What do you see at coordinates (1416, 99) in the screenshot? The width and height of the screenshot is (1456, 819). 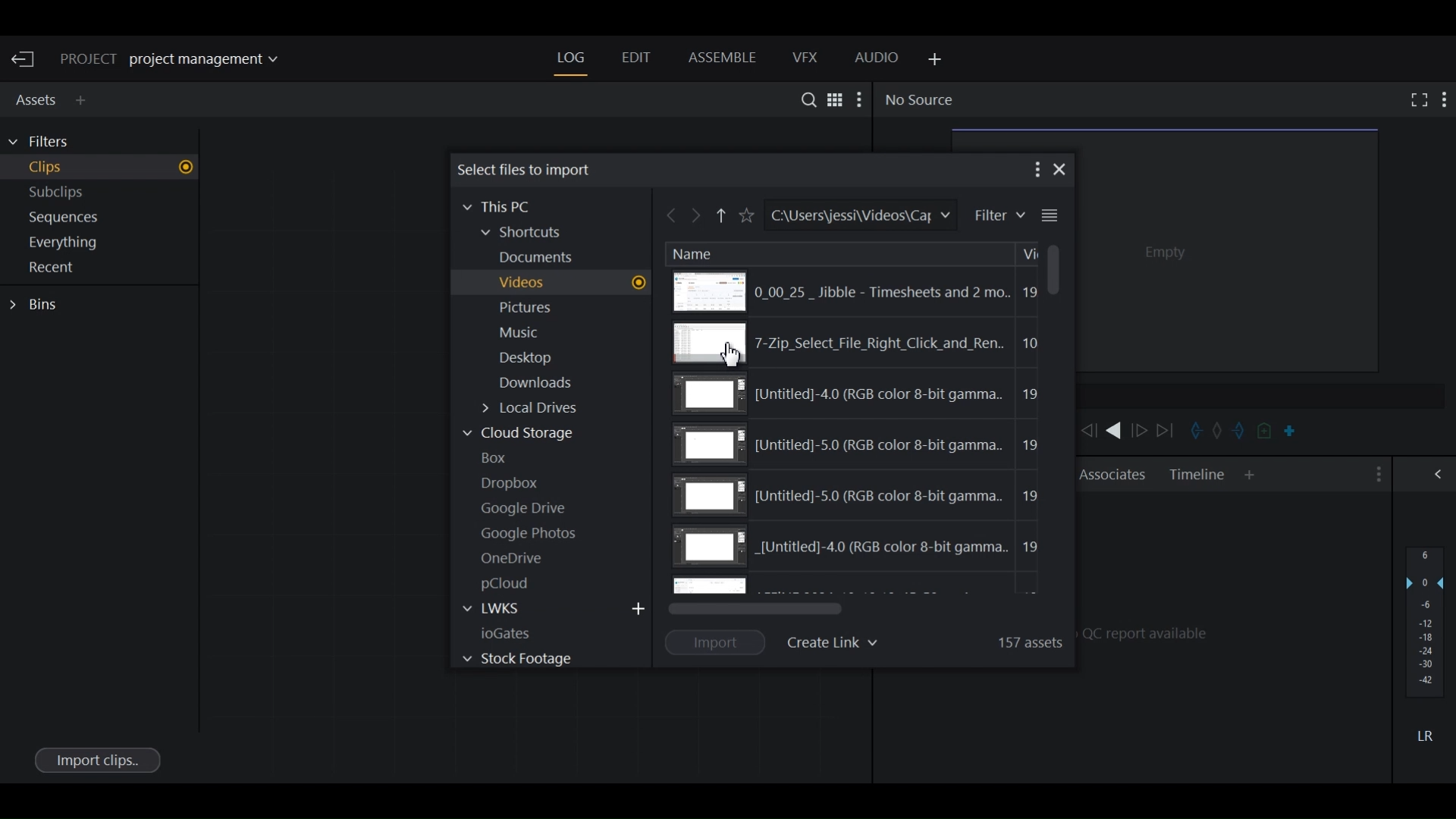 I see `Fullscreen` at bounding box center [1416, 99].